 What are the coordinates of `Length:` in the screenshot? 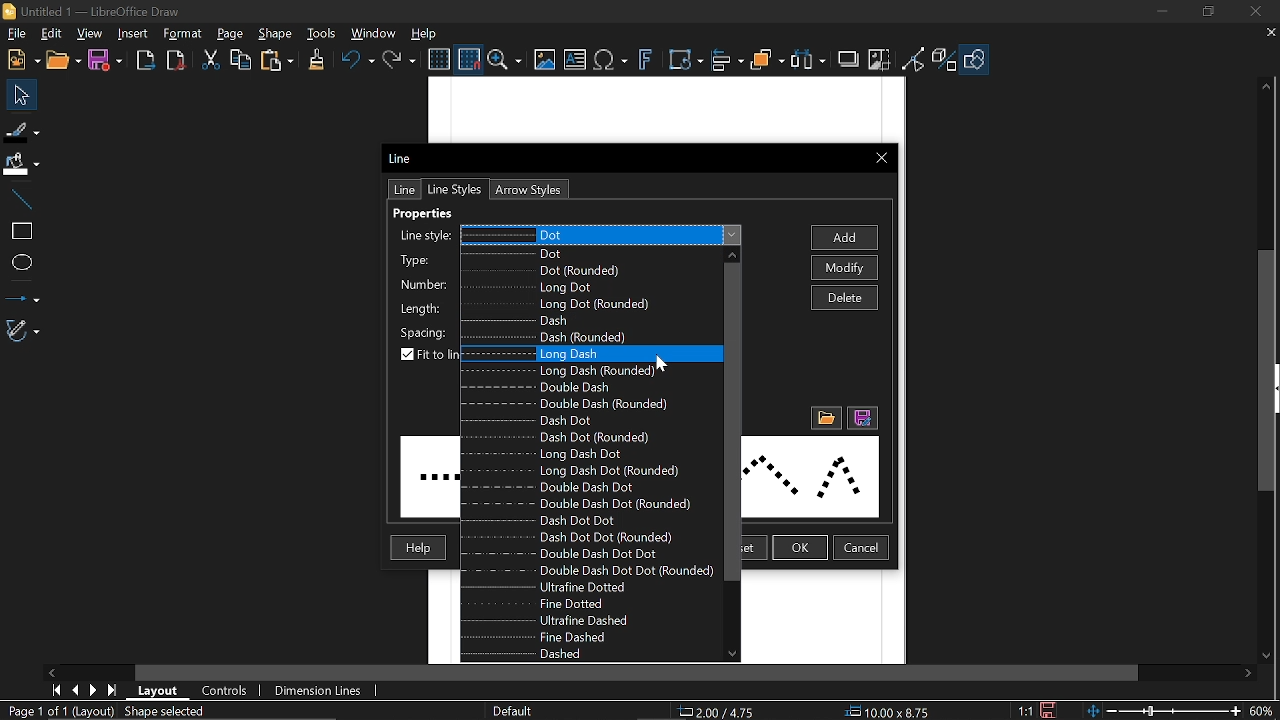 It's located at (420, 307).